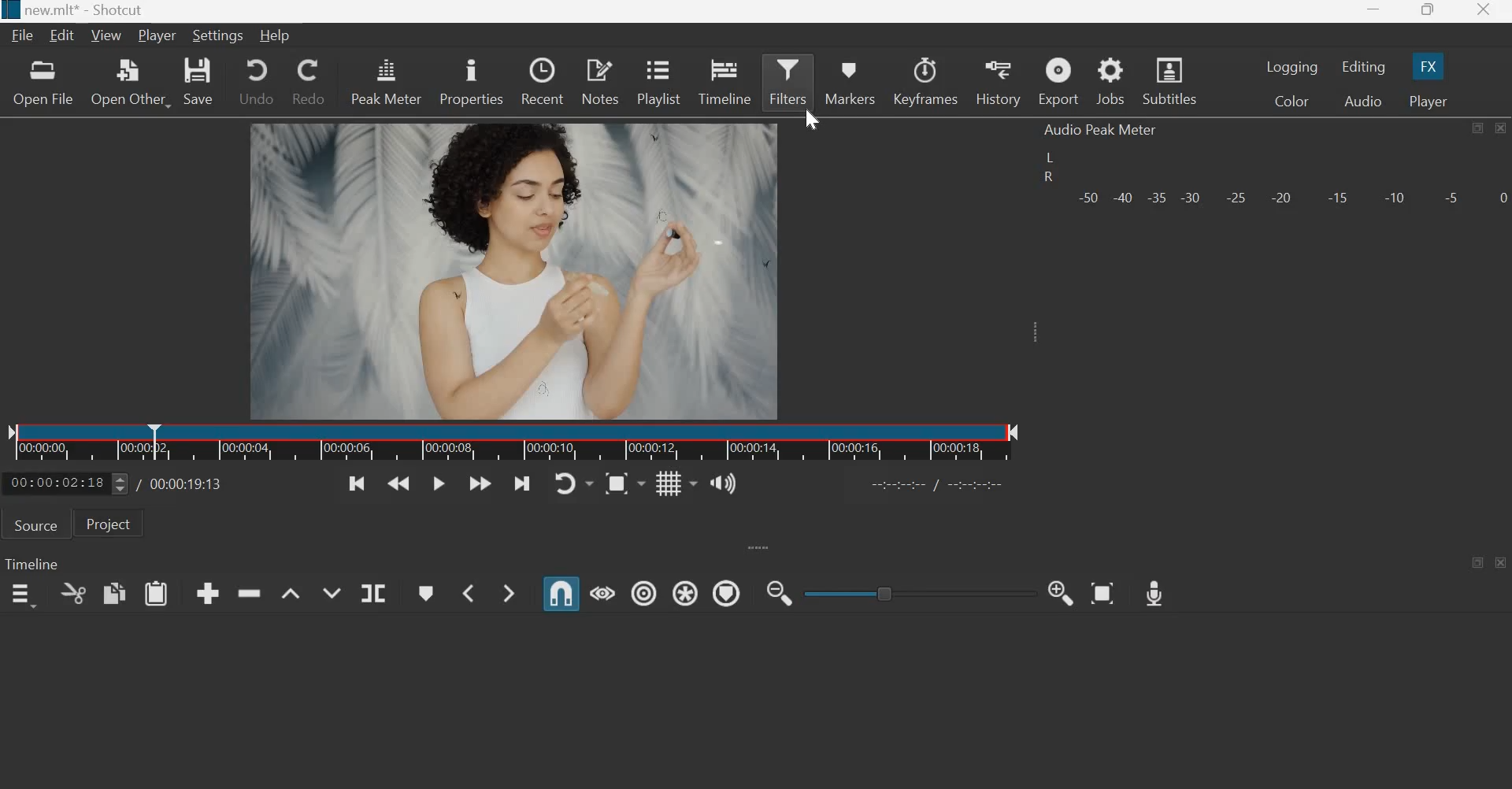  I want to click on Filters, so click(791, 80).